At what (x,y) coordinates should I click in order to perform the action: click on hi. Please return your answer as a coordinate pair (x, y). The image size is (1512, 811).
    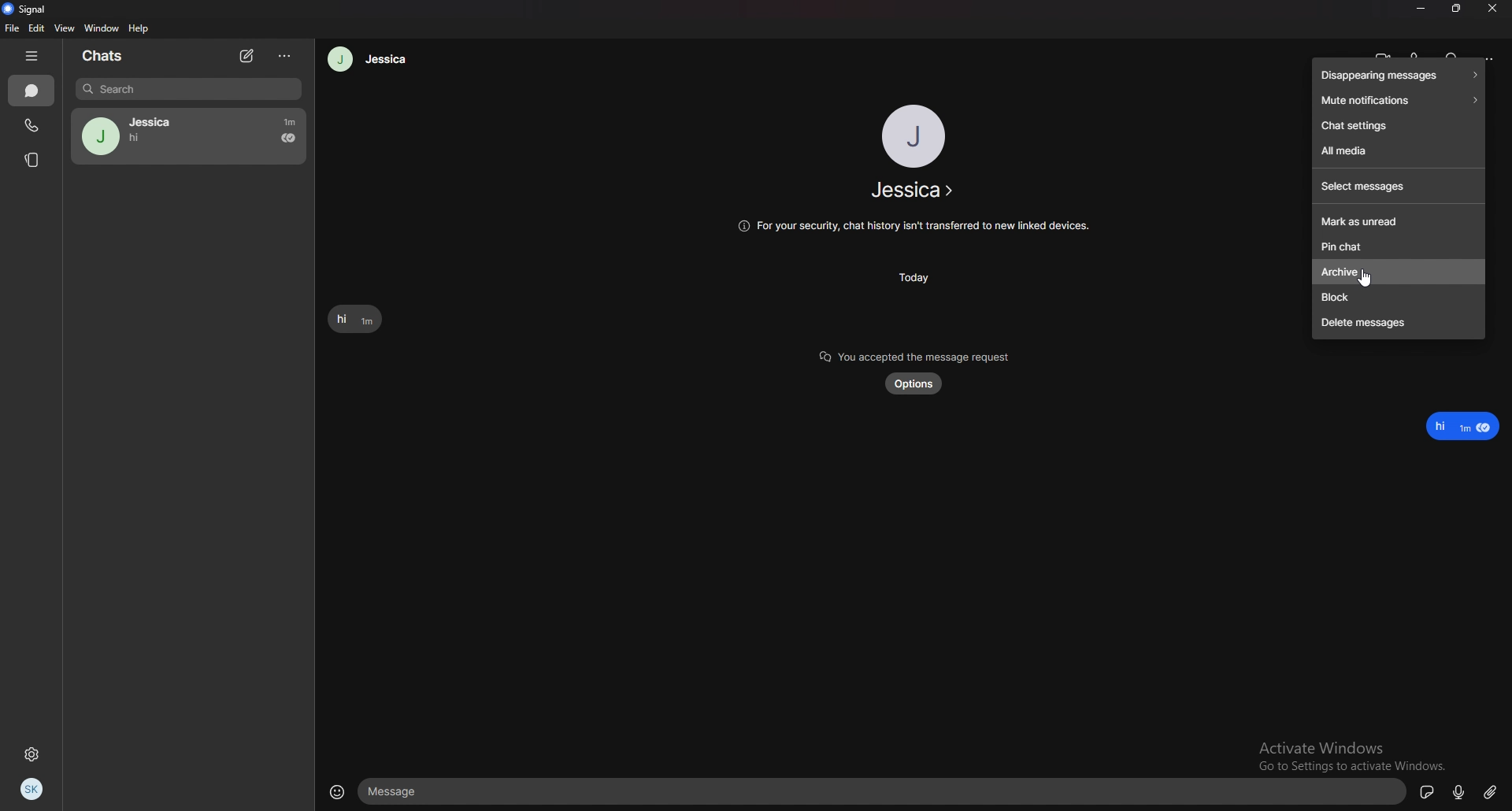
    Looking at the image, I should click on (354, 320).